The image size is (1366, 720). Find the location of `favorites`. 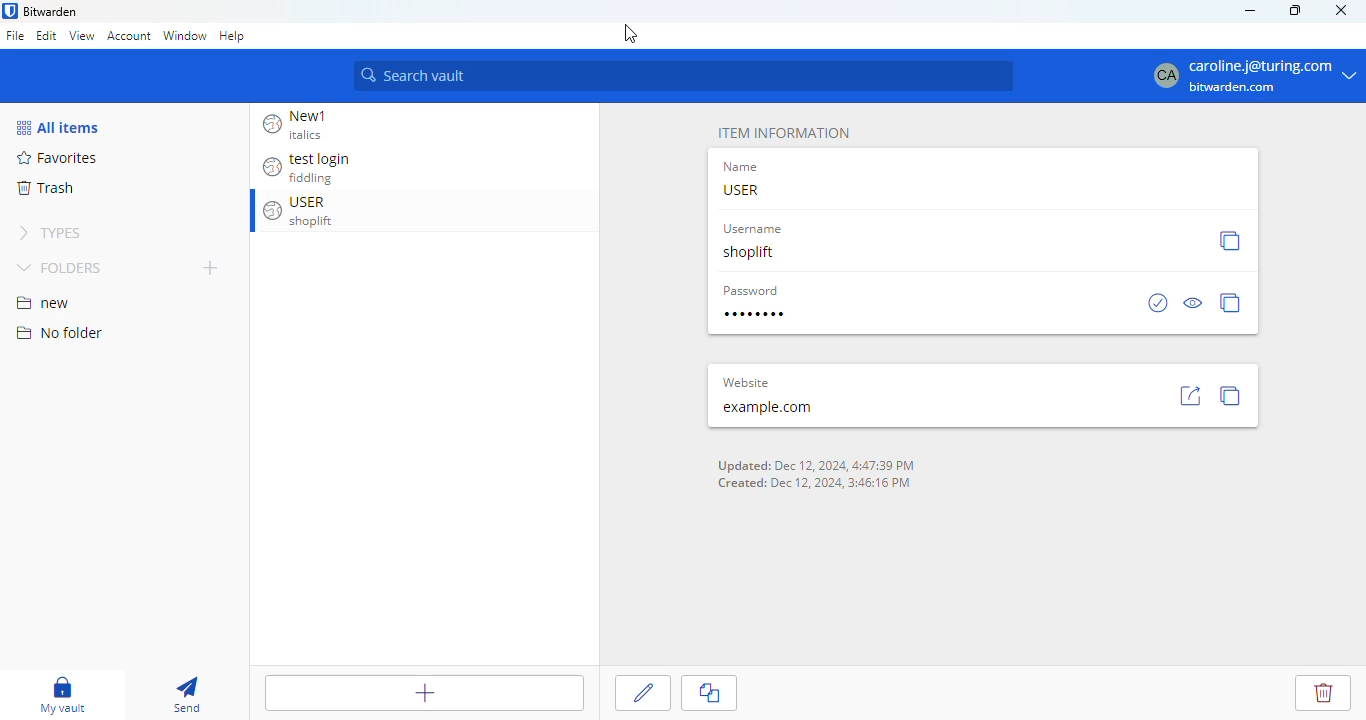

favorites is located at coordinates (58, 158).